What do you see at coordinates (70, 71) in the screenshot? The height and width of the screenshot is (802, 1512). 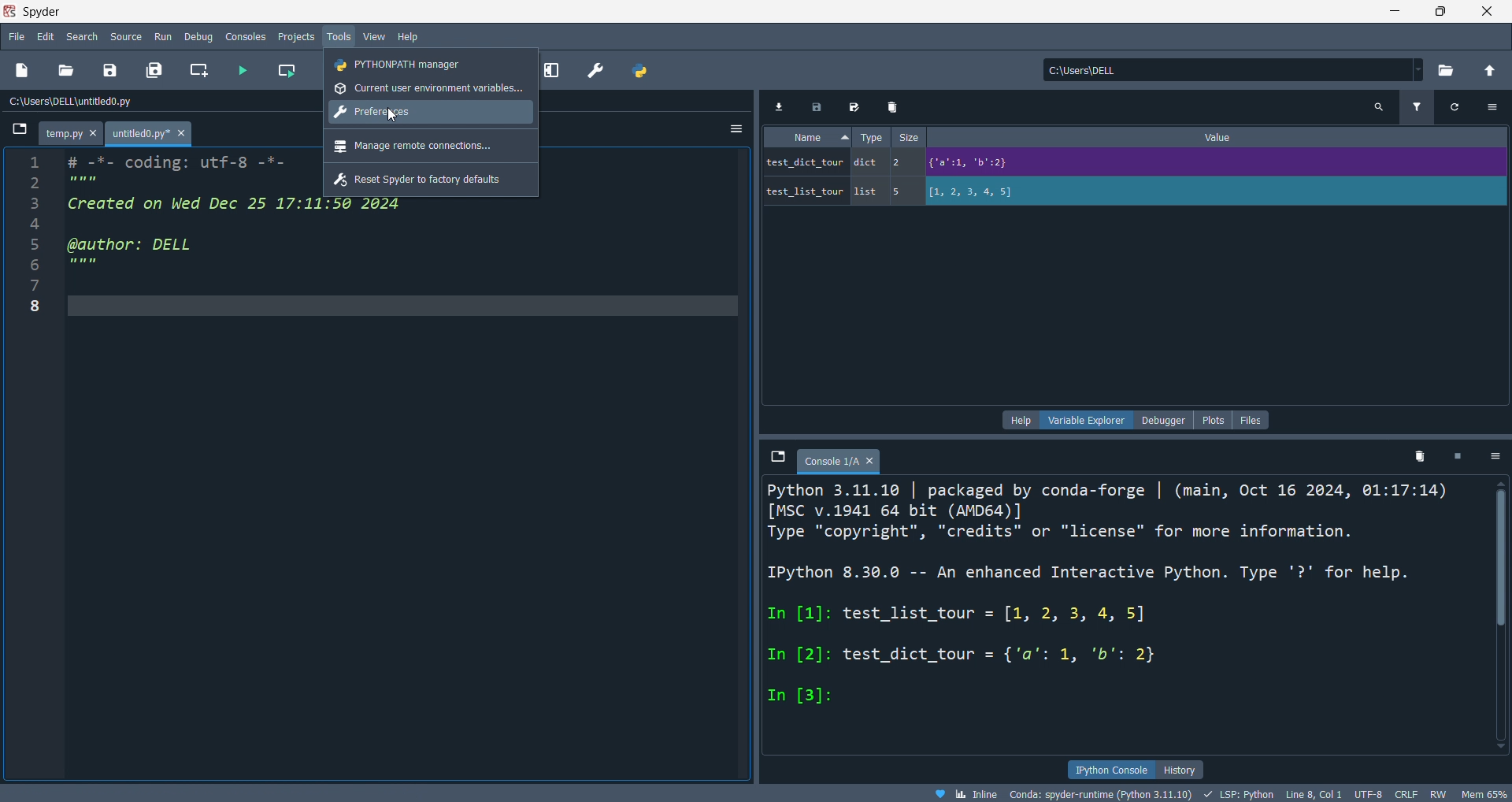 I see `open fil` at bounding box center [70, 71].